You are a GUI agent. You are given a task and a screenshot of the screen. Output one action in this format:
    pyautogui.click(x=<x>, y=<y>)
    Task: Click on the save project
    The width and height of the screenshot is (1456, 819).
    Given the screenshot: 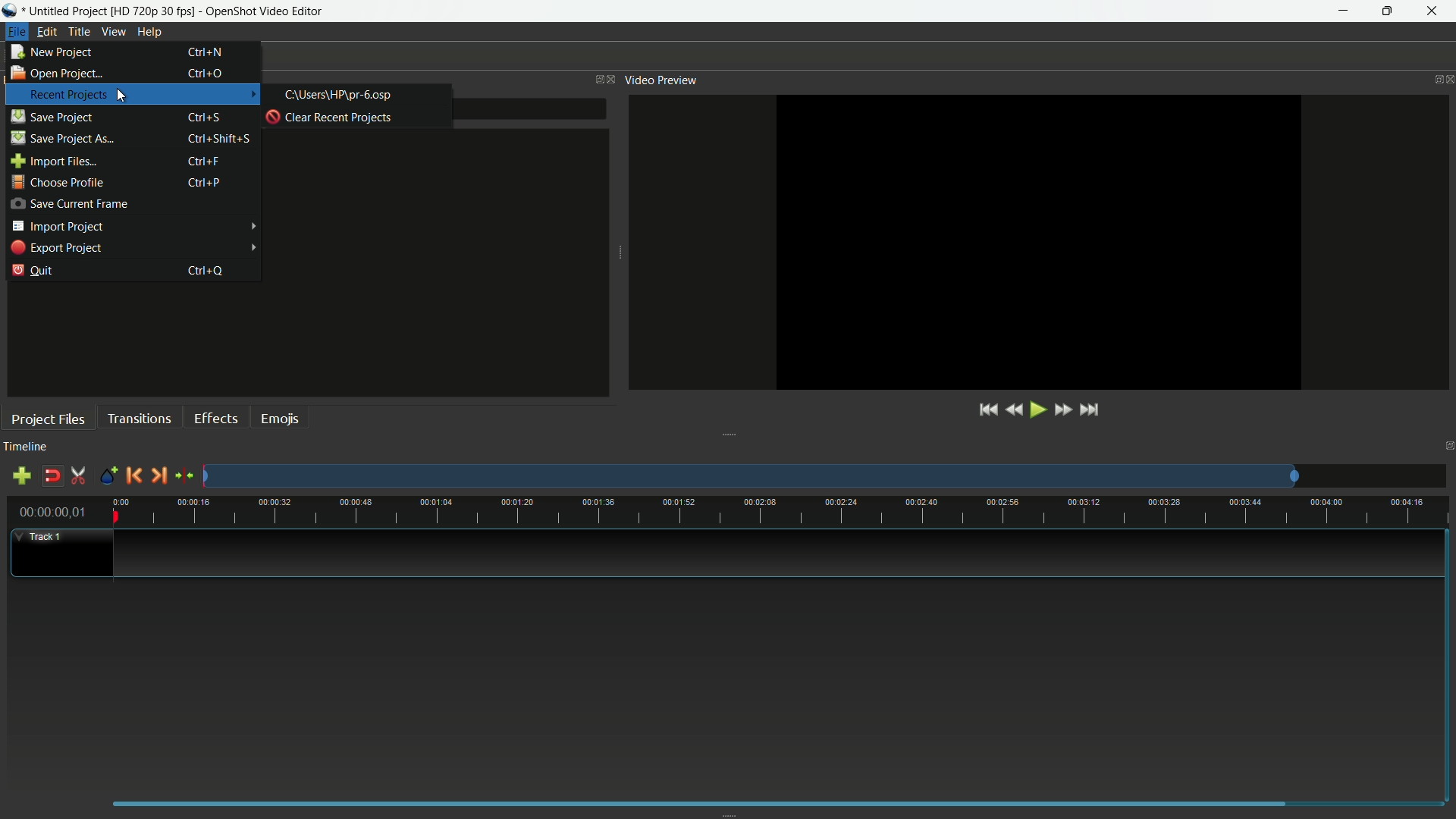 What is the action you would take?
    pyautogui.click(x=52, y=116)
    